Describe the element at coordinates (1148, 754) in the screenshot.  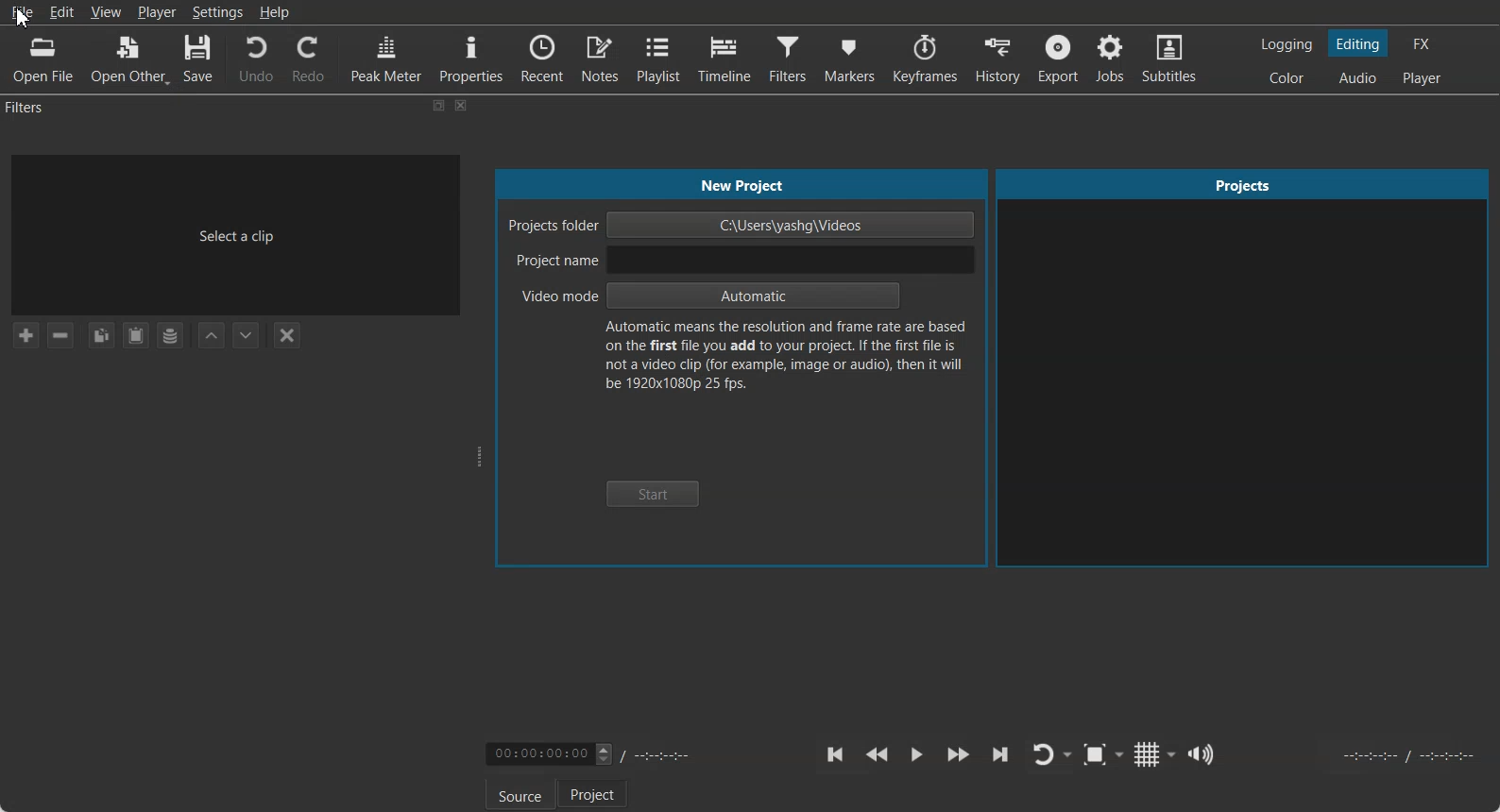
I see `Toggle grid display on the player` at that location.